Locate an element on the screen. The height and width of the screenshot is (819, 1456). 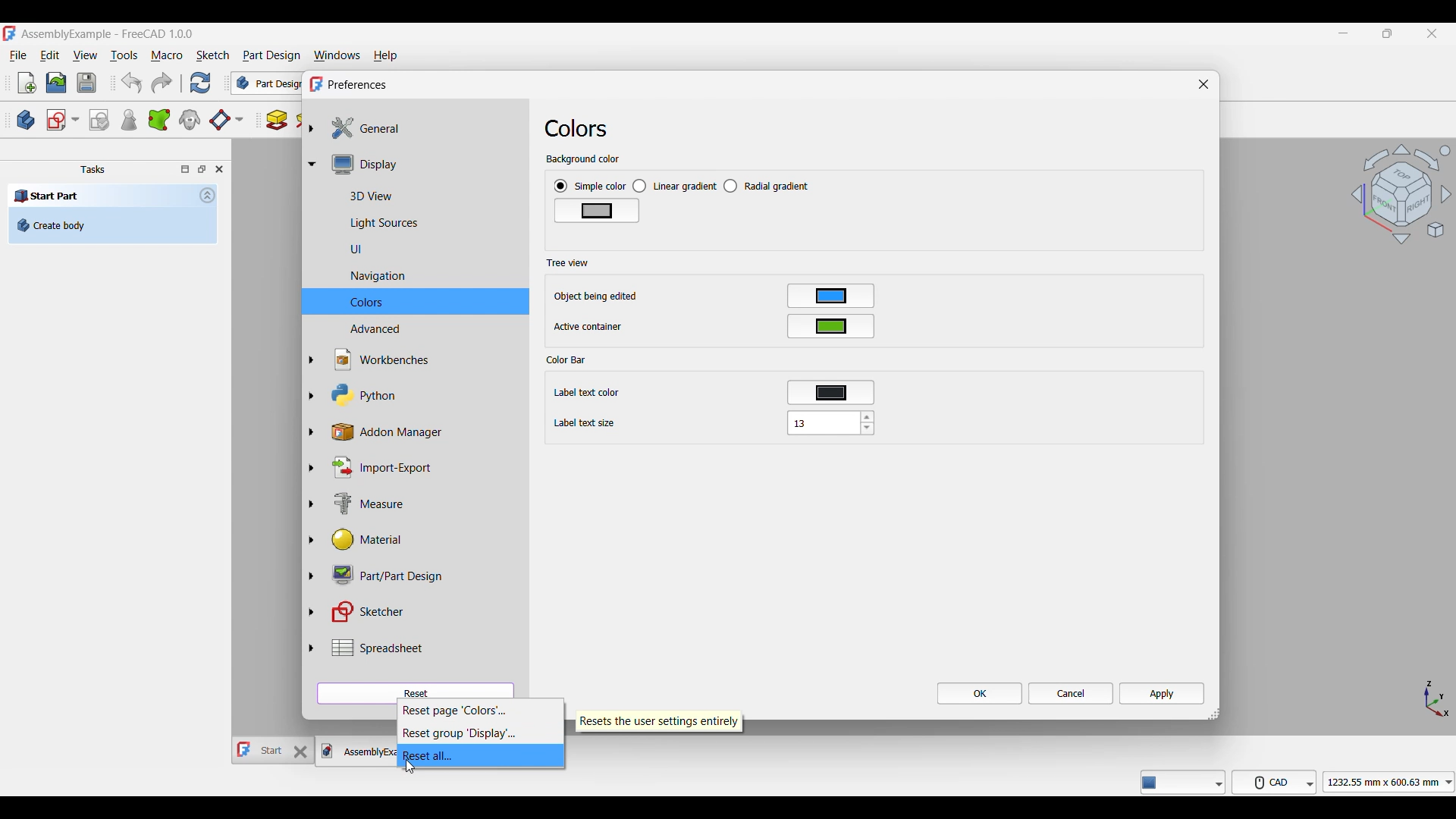
General settings is located at coordinates (360, 128).